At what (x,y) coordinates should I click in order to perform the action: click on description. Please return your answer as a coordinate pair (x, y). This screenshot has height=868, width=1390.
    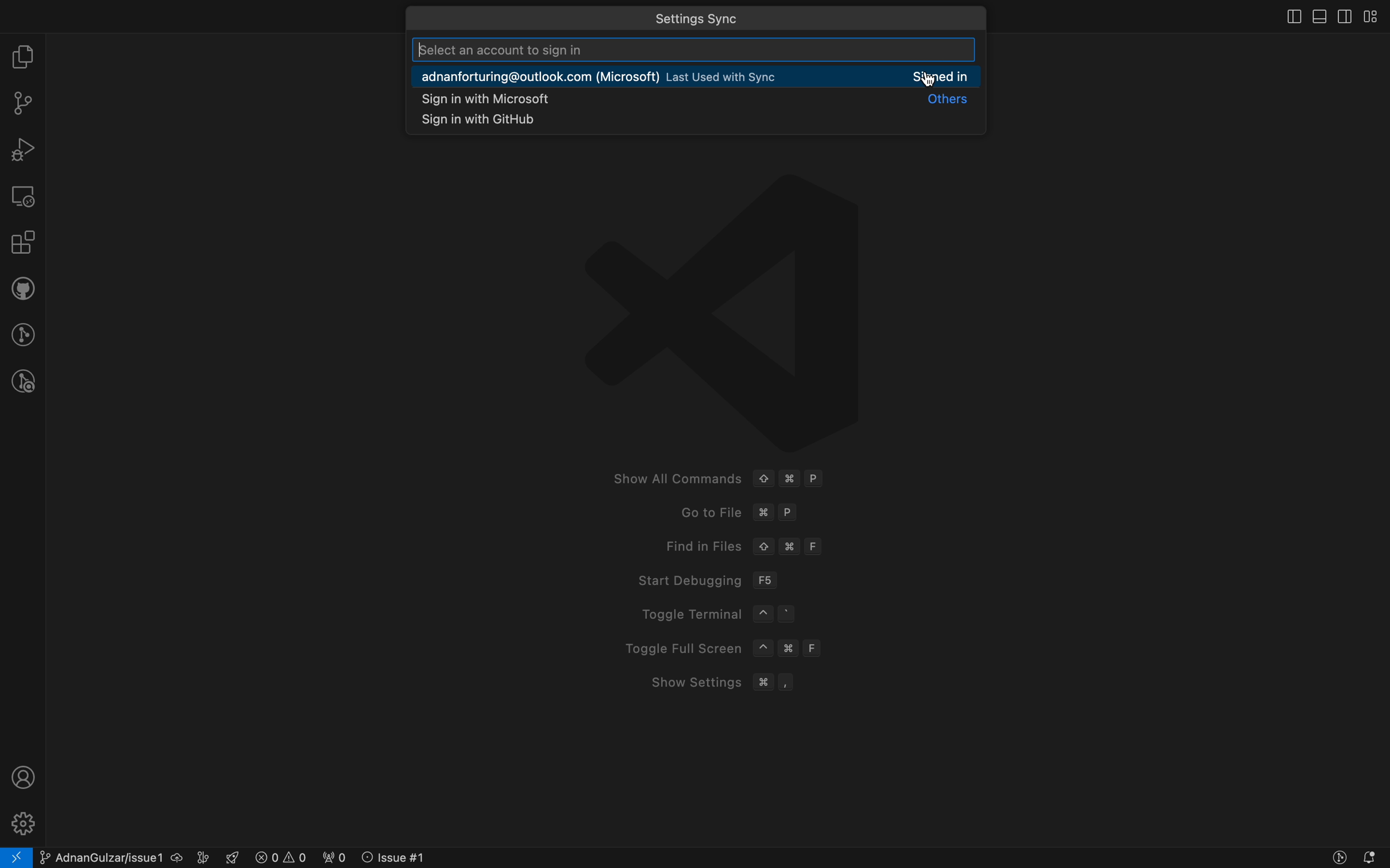
    Looking at the image, I should click on (608, 49).